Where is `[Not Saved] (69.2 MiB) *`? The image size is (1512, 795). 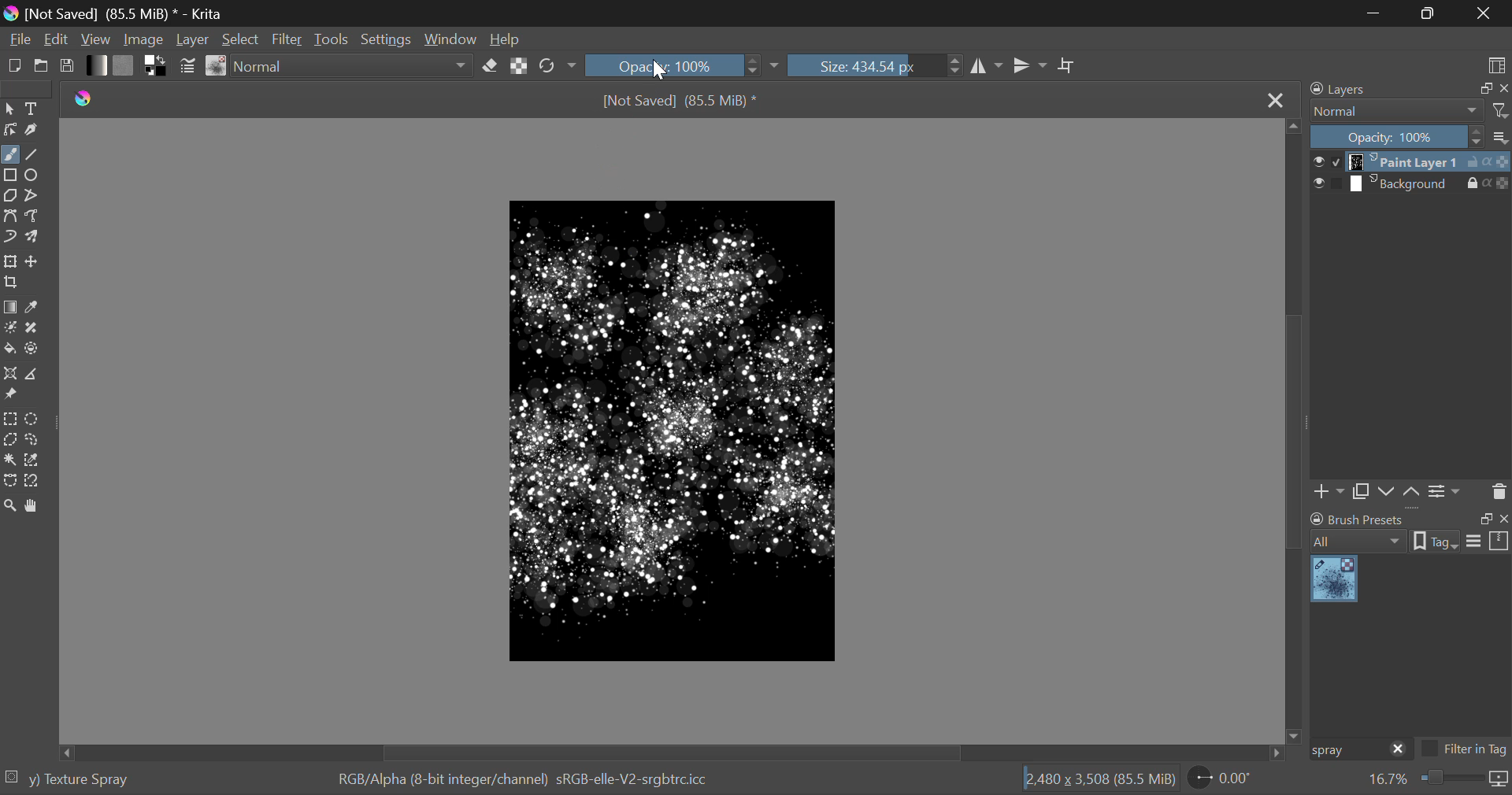 [Not Saved] (69.2 MiB) * is located at coordinates (680, 102).